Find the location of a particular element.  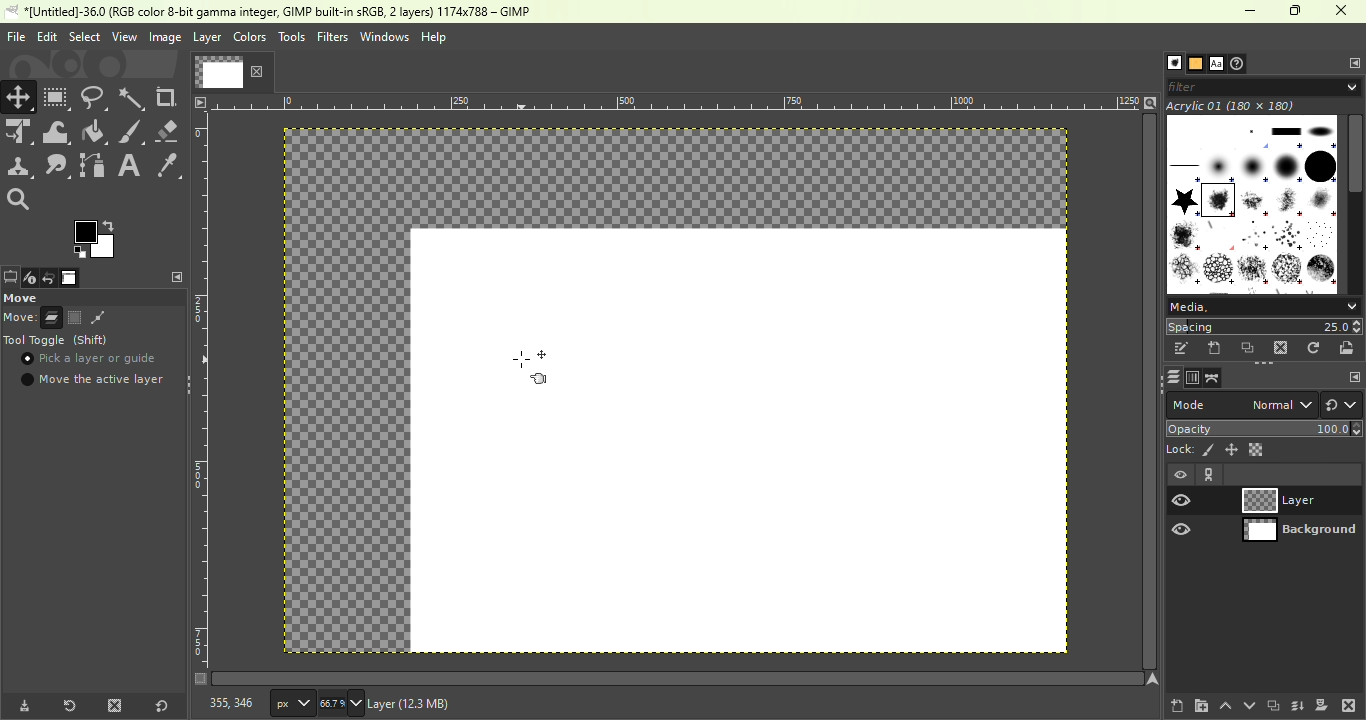

Device status is located at coordinates (28, 279).